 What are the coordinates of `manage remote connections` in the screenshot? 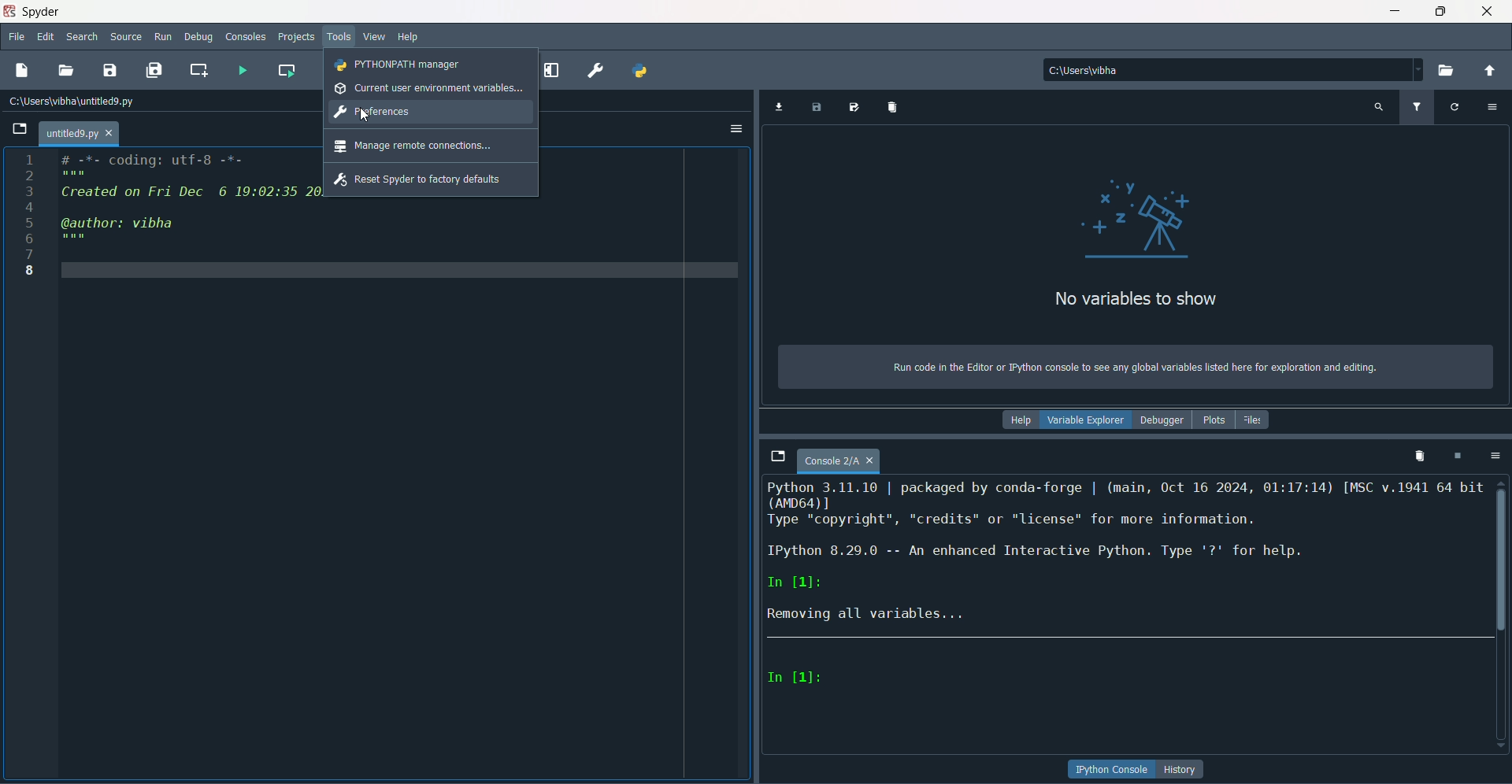 It's located at (413, 146).